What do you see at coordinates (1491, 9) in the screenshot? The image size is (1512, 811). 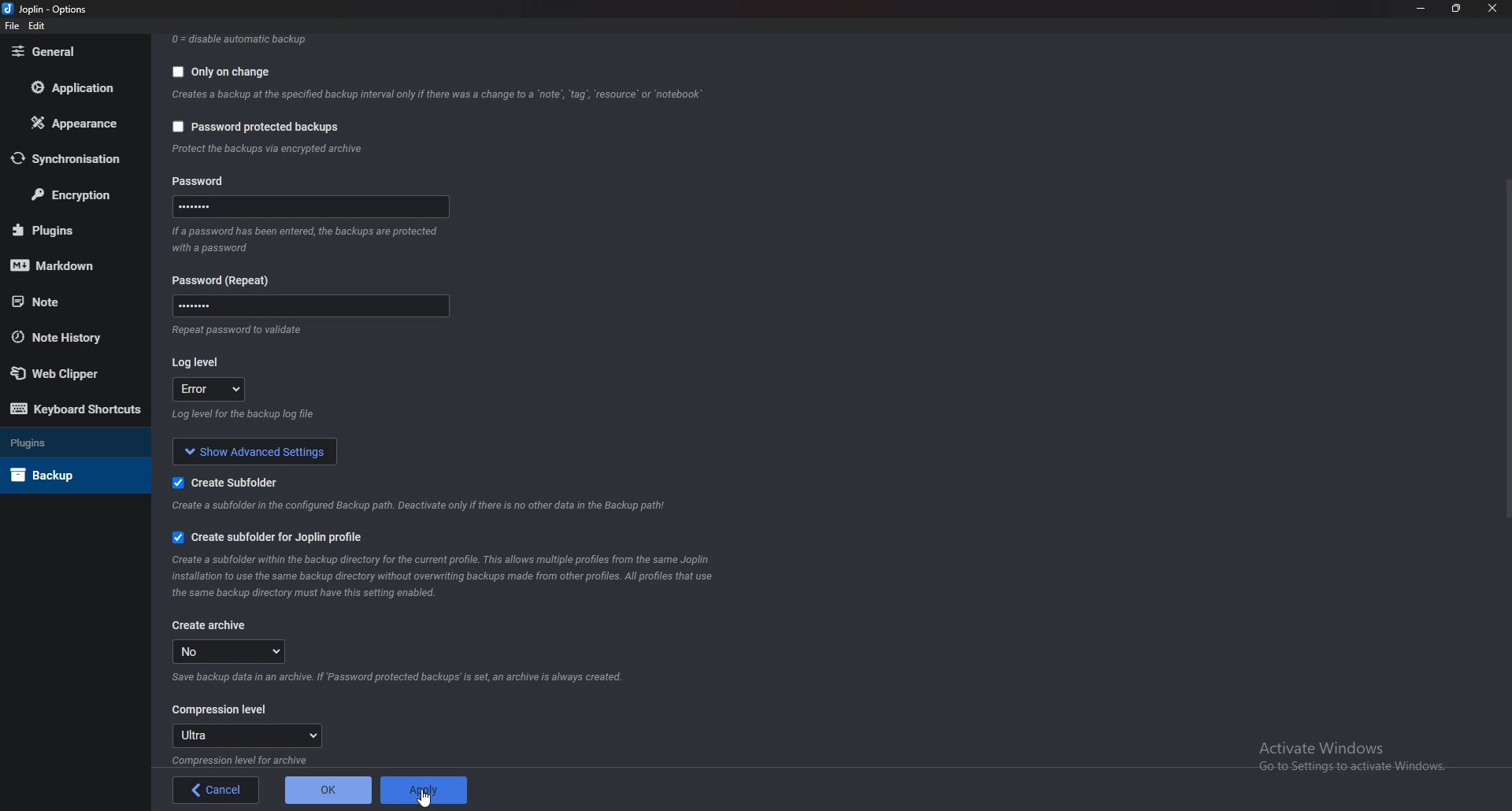 I see `close` at bounding box center [1491, 9].